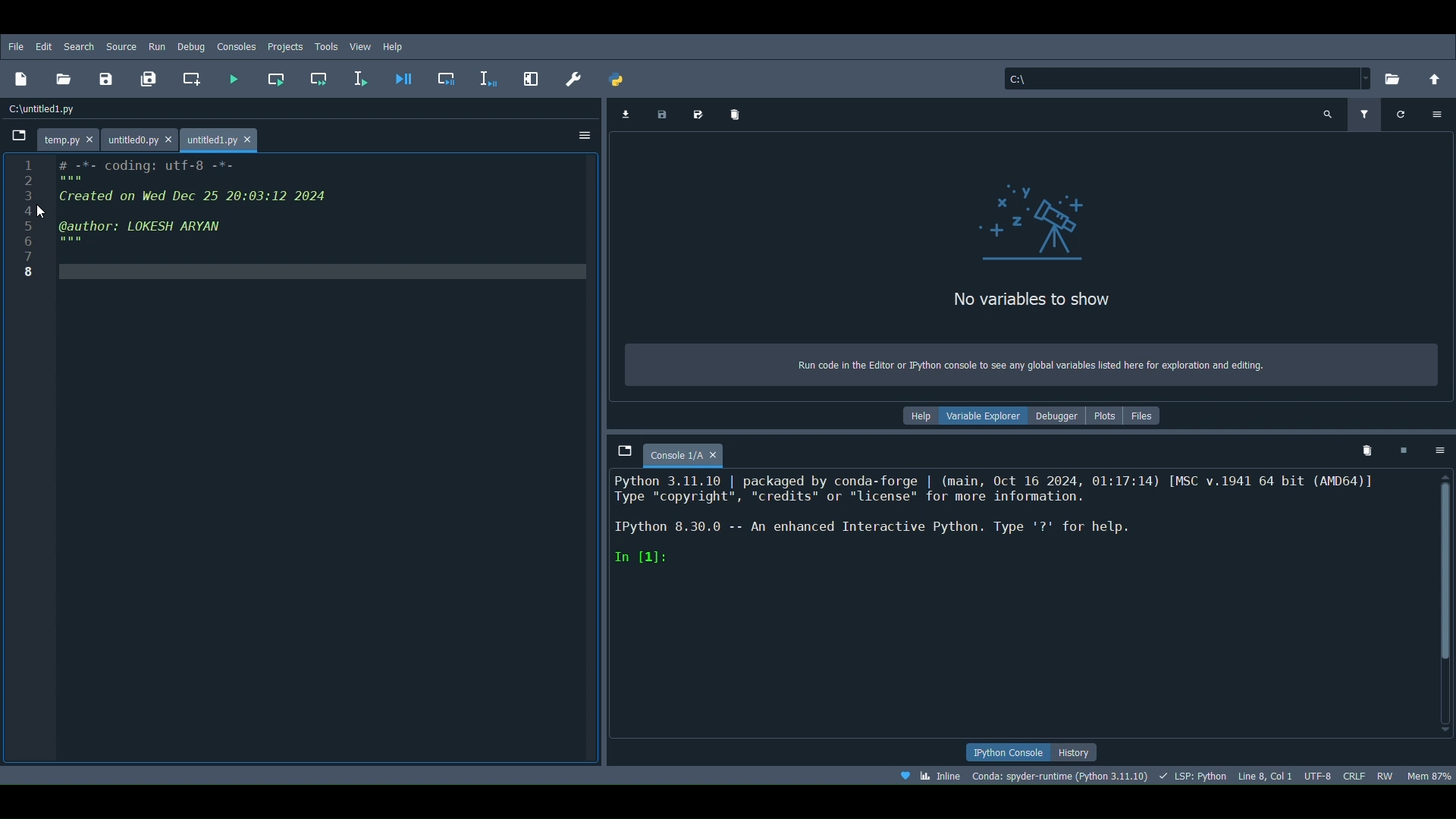  Describe the element at coordinates (625, 114) in the screenshot. I see `Import data` at that location.